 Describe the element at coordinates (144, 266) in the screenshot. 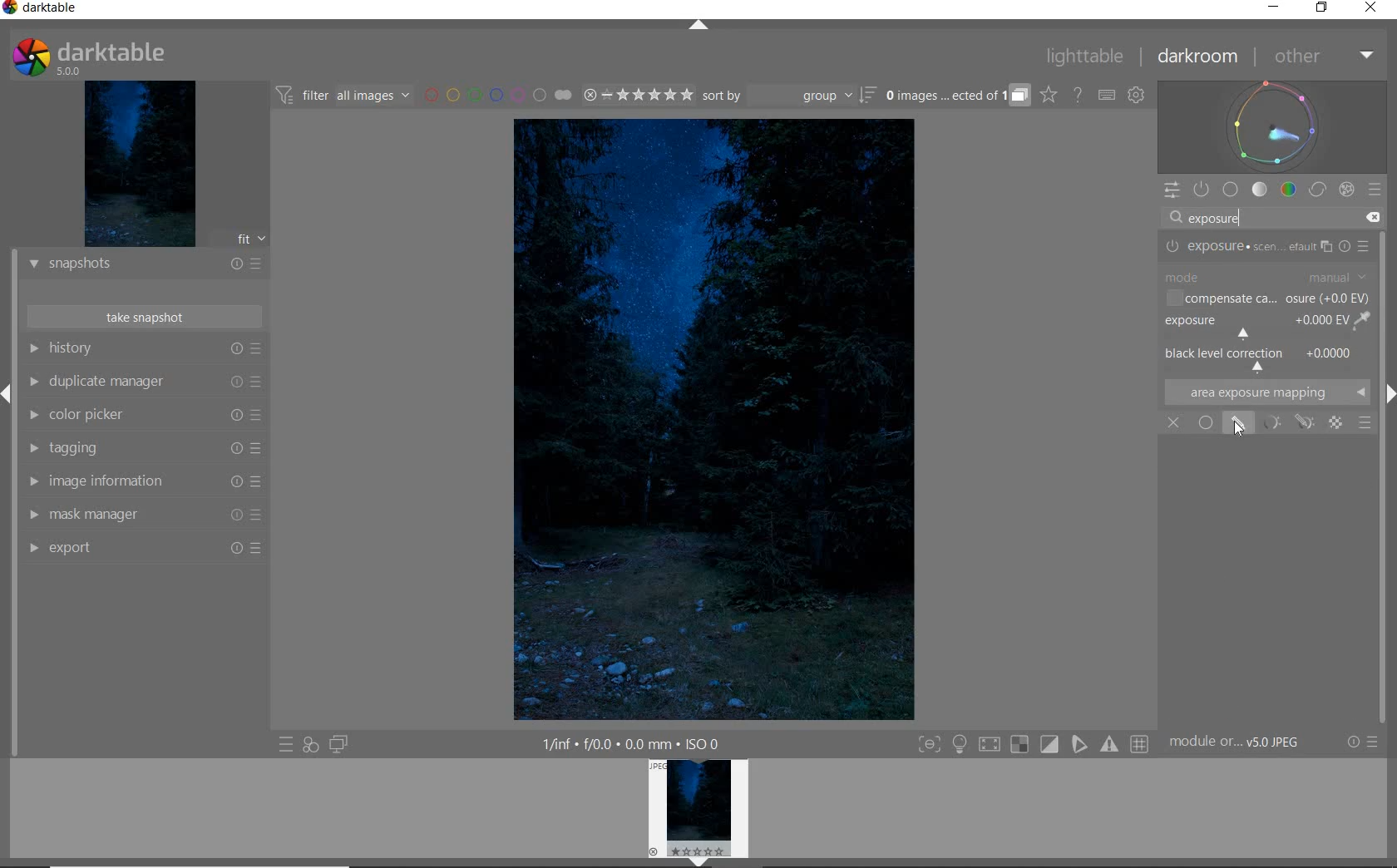

I see `SNAPSHOTS` at that location.